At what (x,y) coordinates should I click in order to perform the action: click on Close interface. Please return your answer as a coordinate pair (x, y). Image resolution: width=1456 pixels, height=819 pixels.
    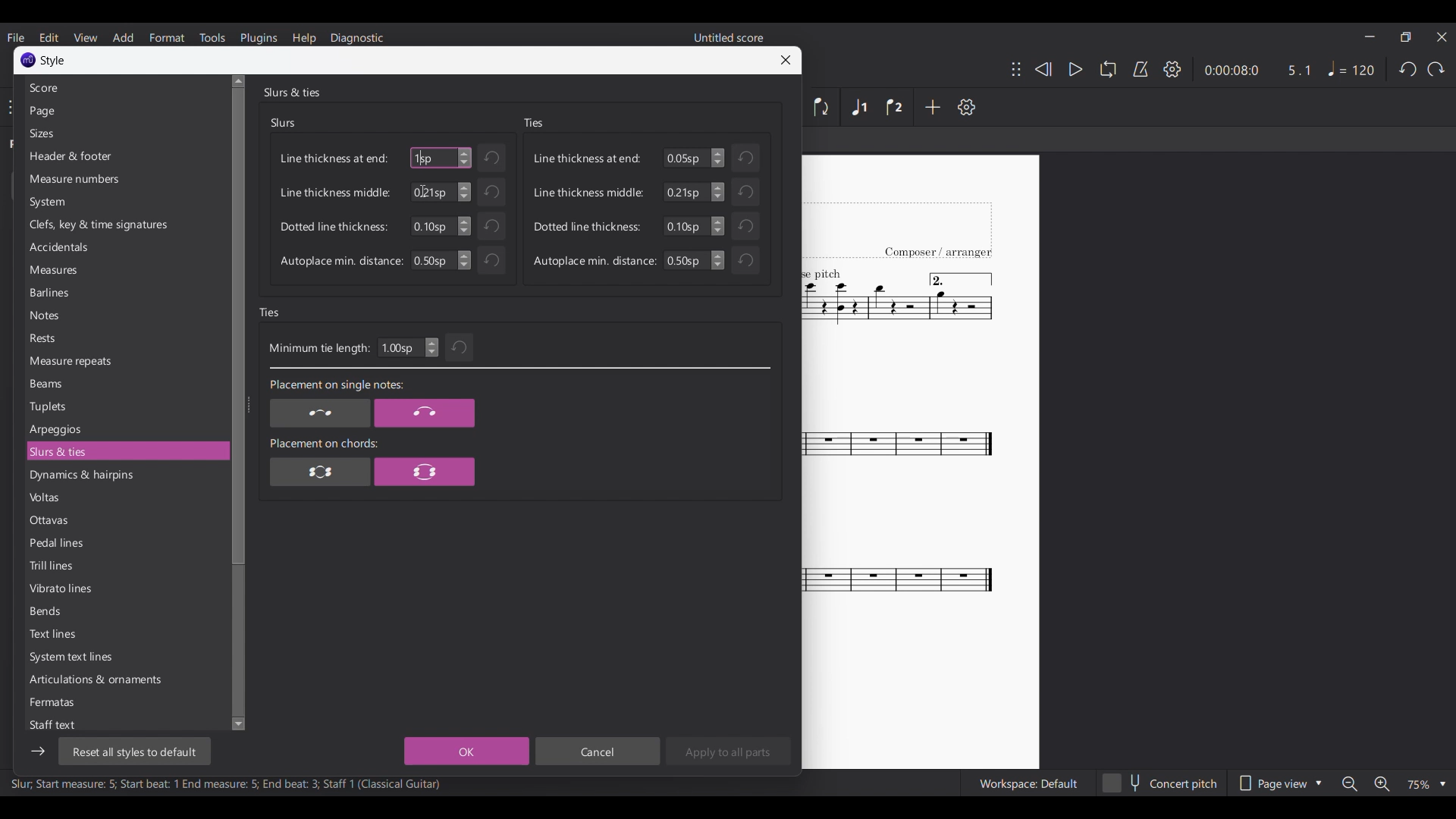
    Looking at the image, I should click on (1442, 37).